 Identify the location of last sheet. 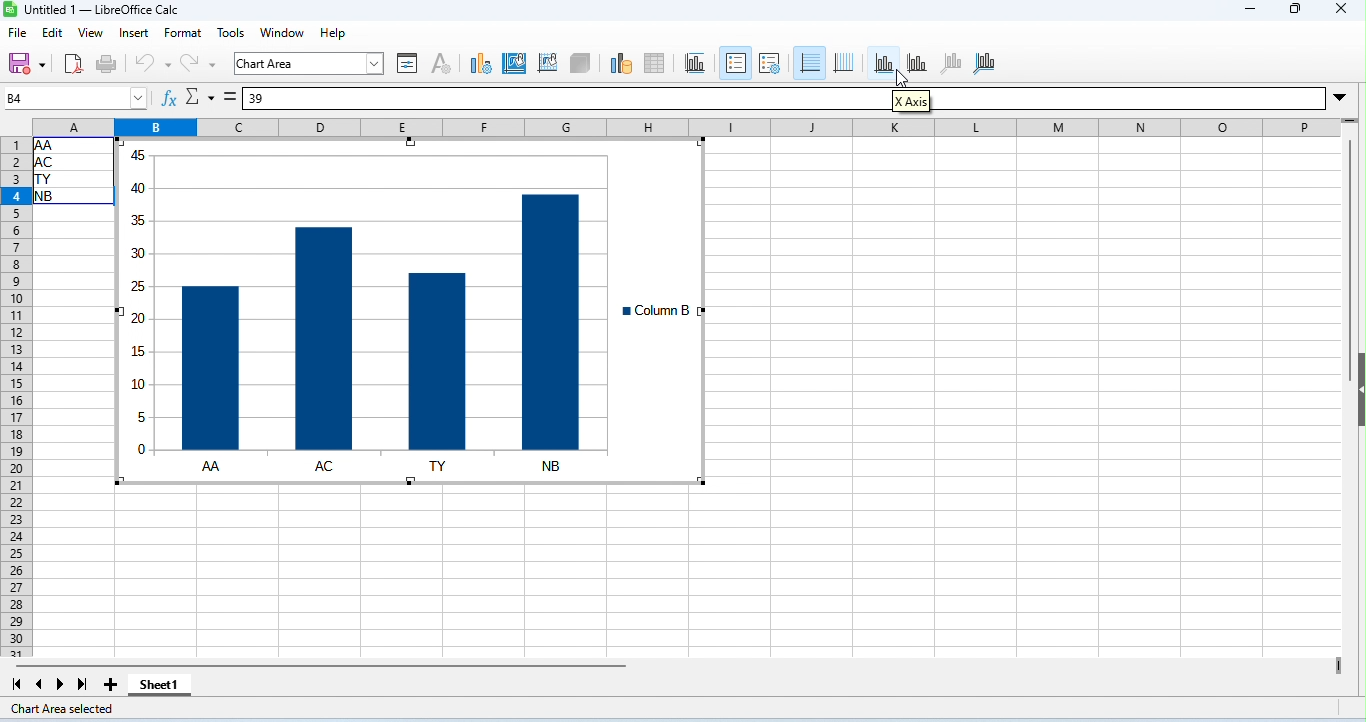
(82, 684).